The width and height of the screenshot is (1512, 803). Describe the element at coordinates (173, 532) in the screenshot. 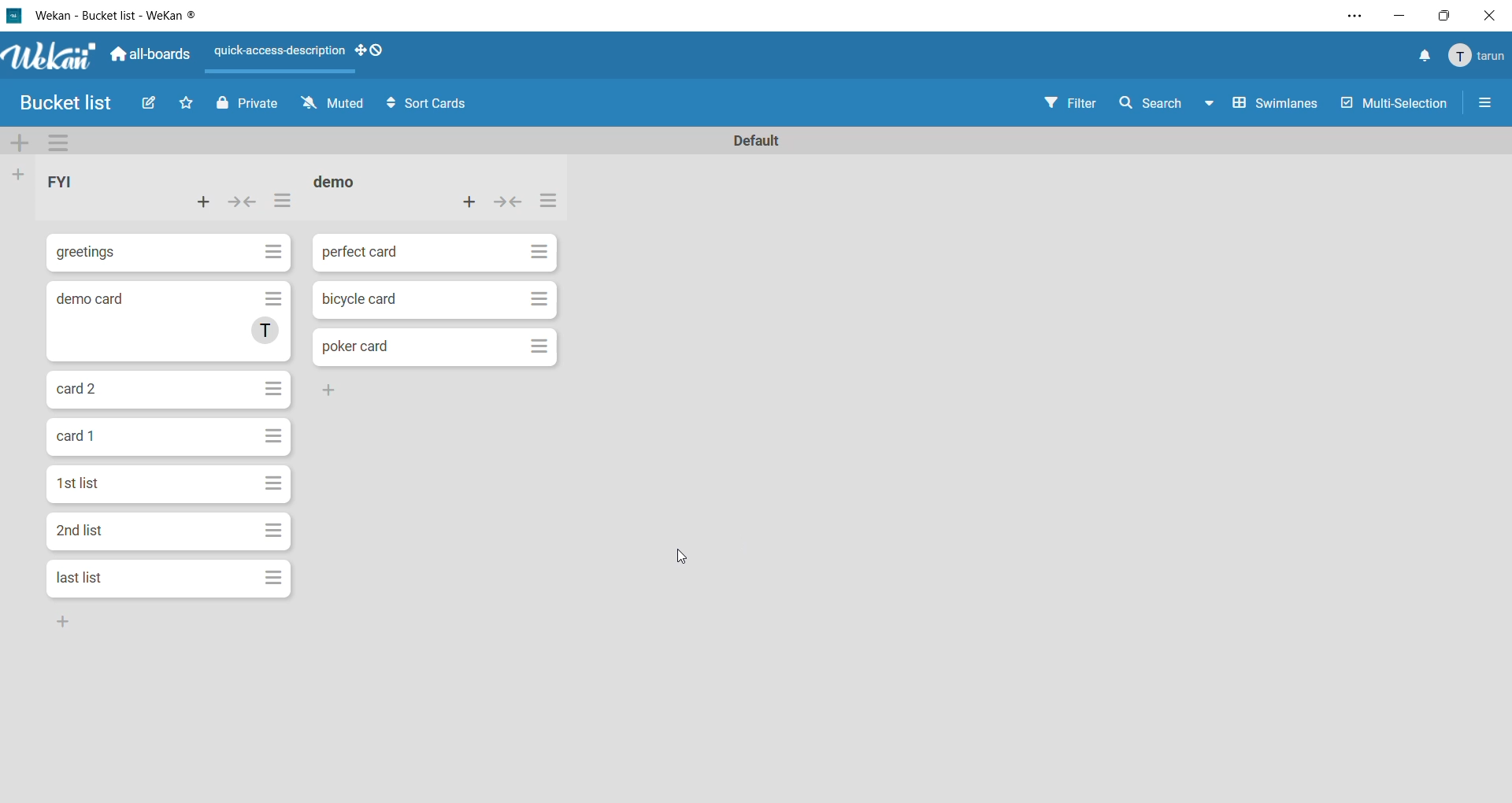

I see `2nd list` at that location.